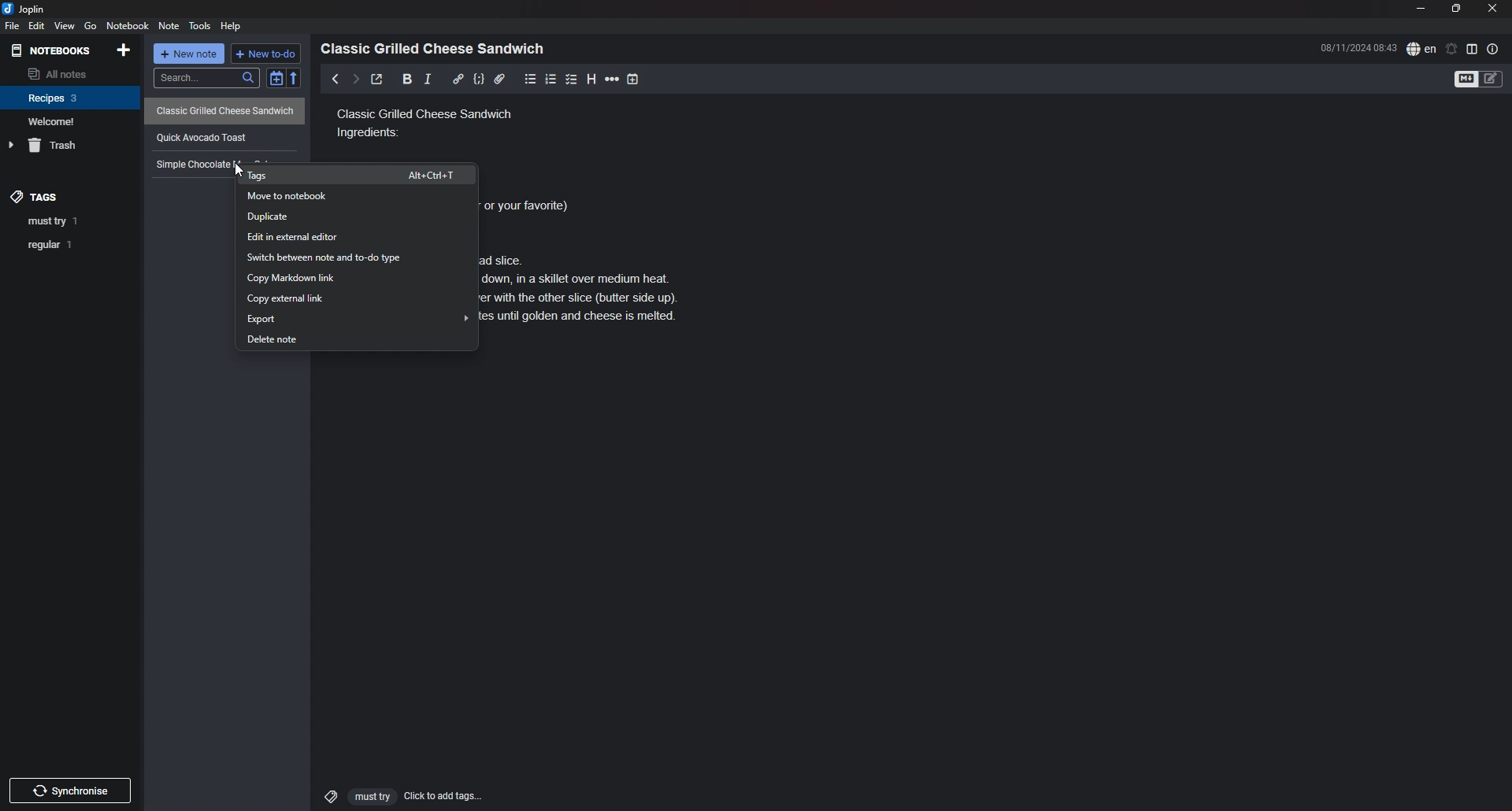  What do you see at coordinates (267, 54) in the screenshot?
I see `new todo` at bounding box center [267, 54].